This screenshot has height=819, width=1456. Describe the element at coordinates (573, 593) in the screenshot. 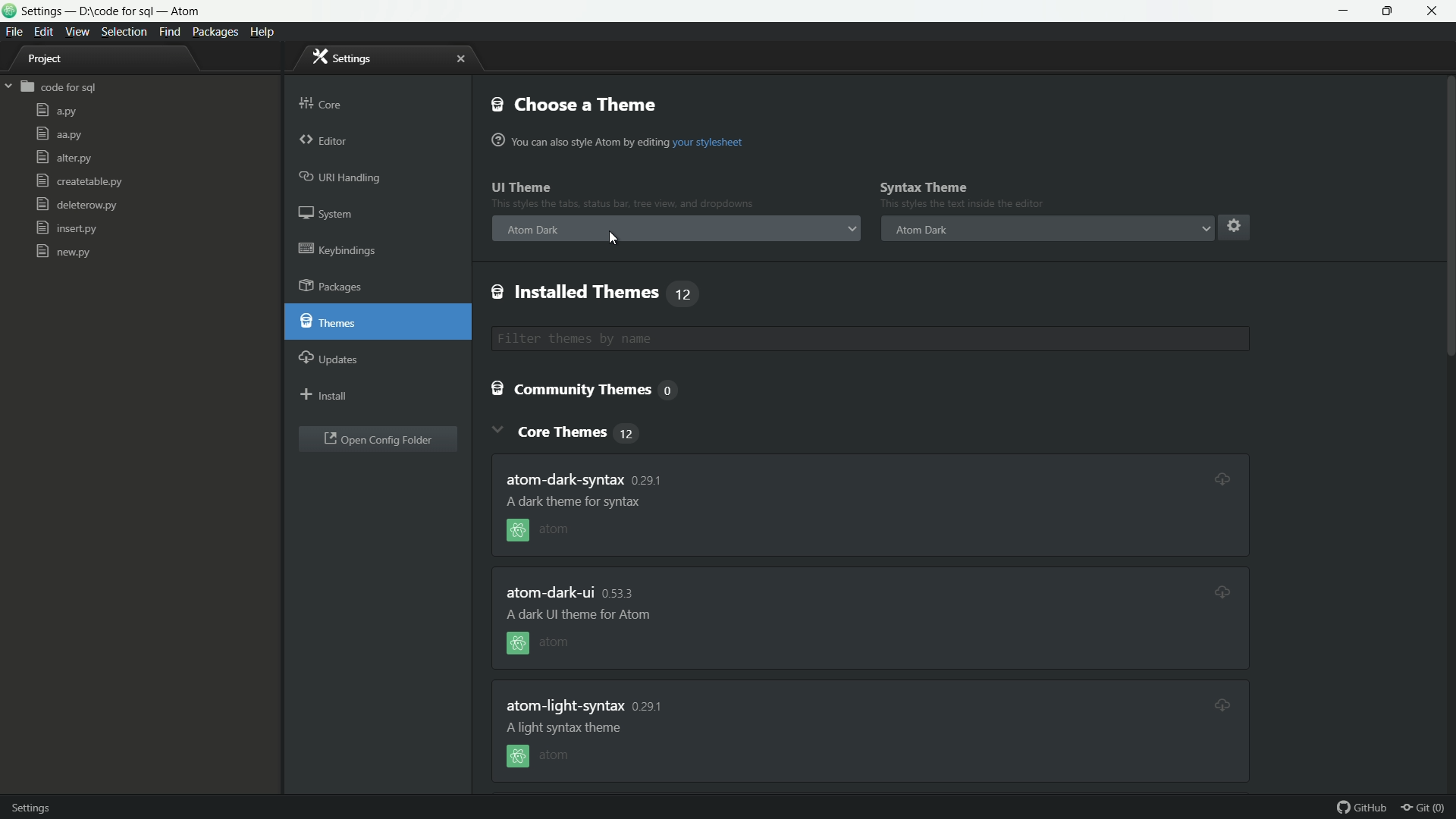

I see `atom dark ui` at that location.